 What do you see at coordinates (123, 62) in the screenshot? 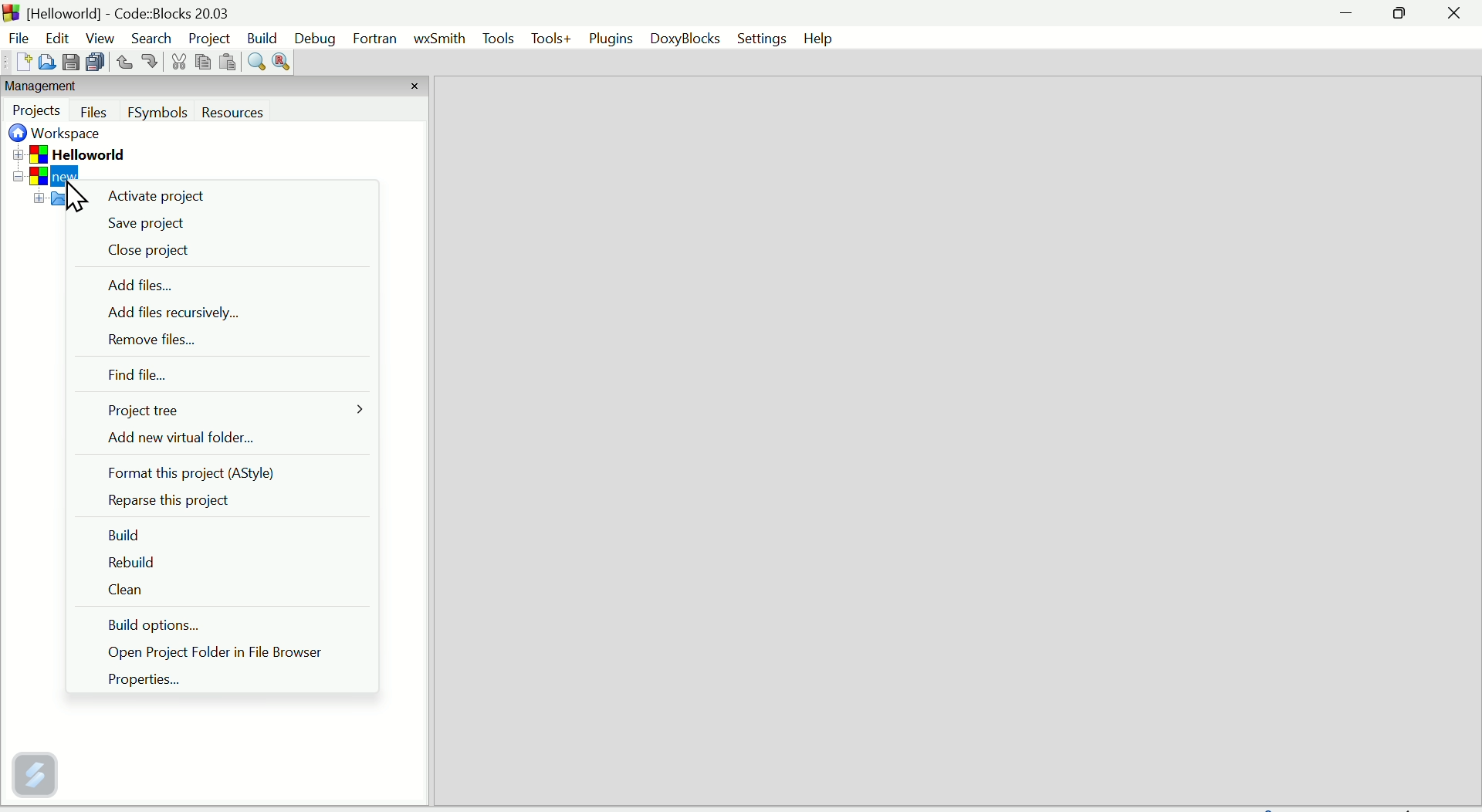
I see `` at bounding box center [123, 62].